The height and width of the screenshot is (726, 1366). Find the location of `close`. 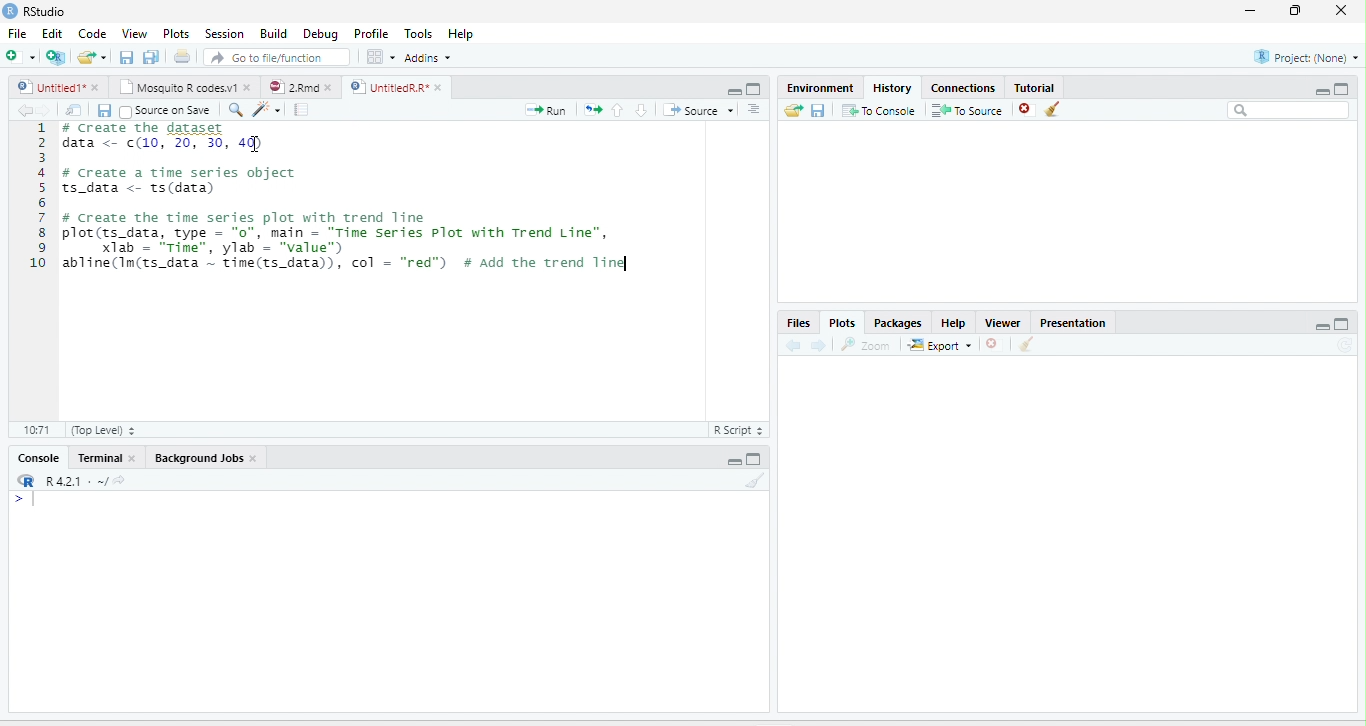

close is located at coordinates (438, 87).